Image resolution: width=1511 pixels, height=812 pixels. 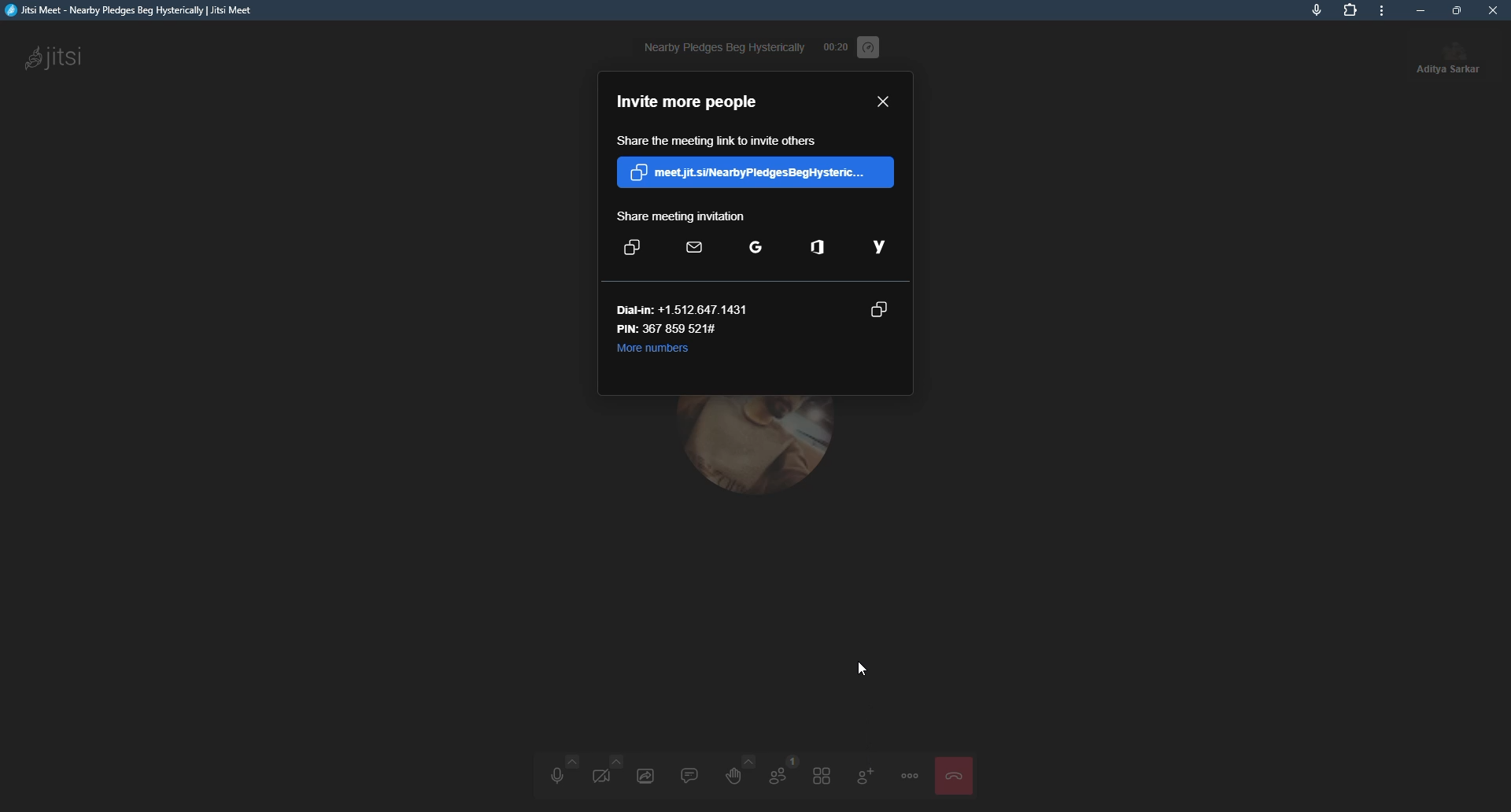 What do you see at coordinates (834, 47) in the screenshot?
I see `time elapsed` at bounding box center [834, 47].